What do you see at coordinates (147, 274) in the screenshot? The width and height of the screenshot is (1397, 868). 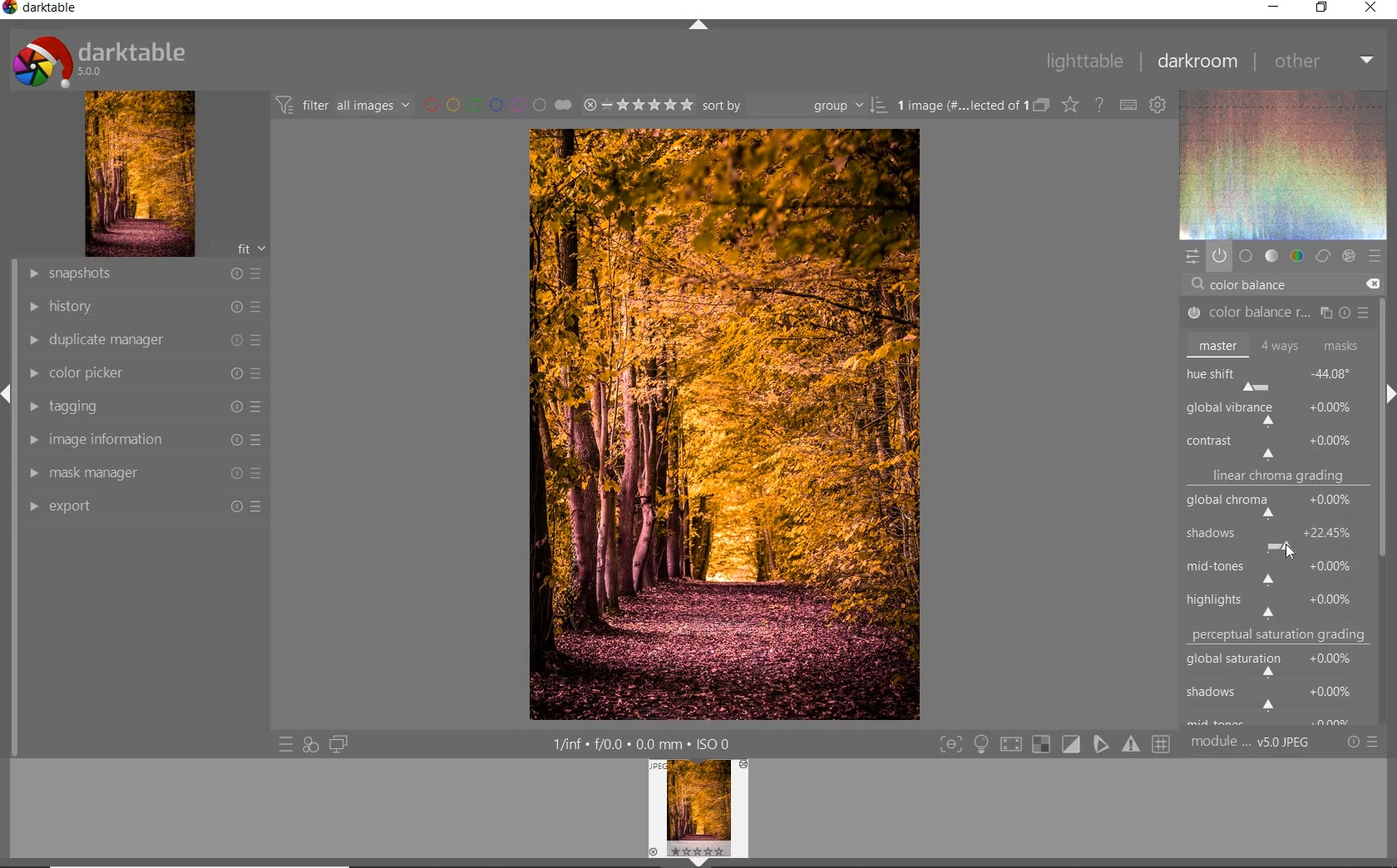 I see `snapshots` at bounding box center [147, 274].